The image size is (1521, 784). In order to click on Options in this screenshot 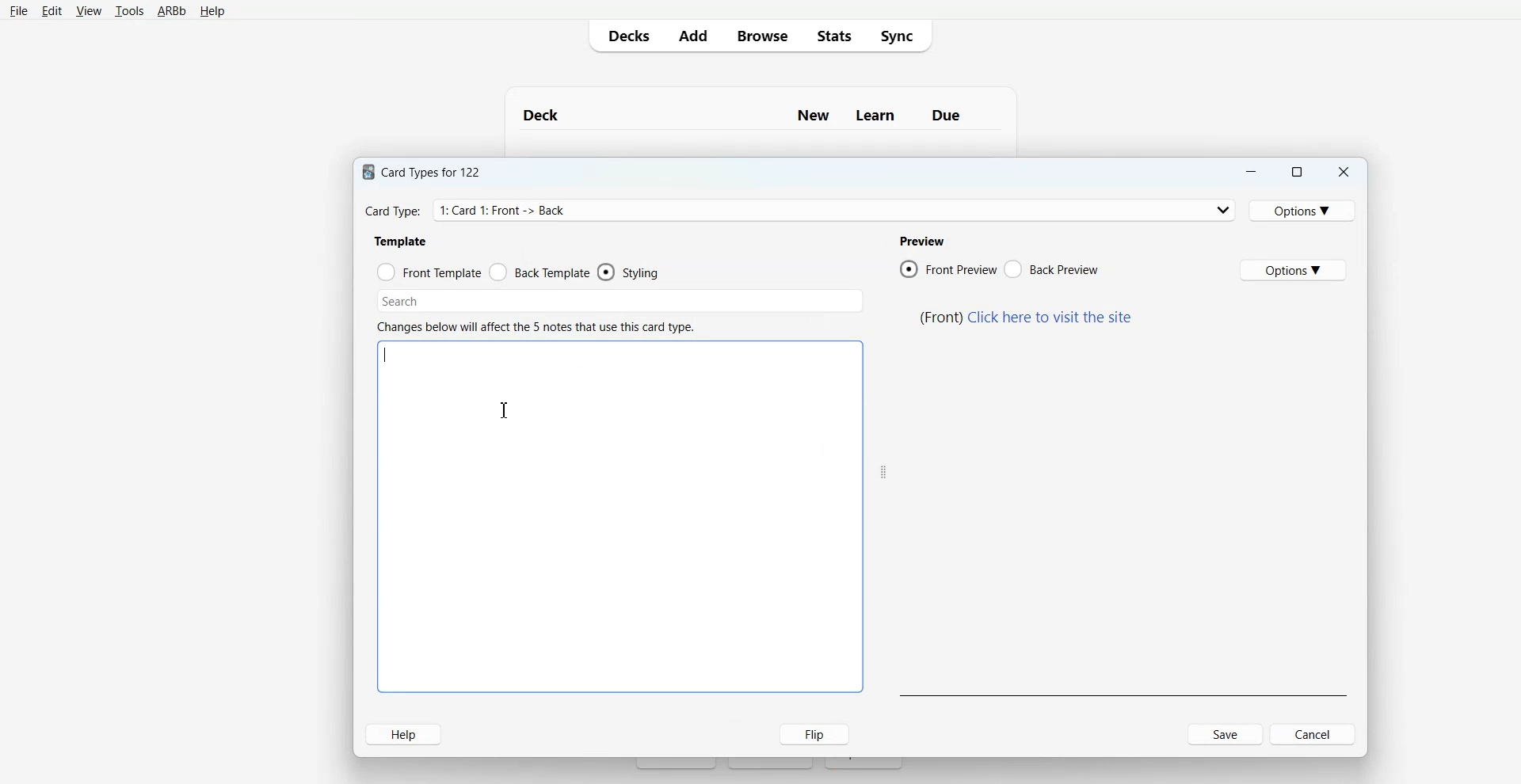, I will do `click(1294, 270)`.